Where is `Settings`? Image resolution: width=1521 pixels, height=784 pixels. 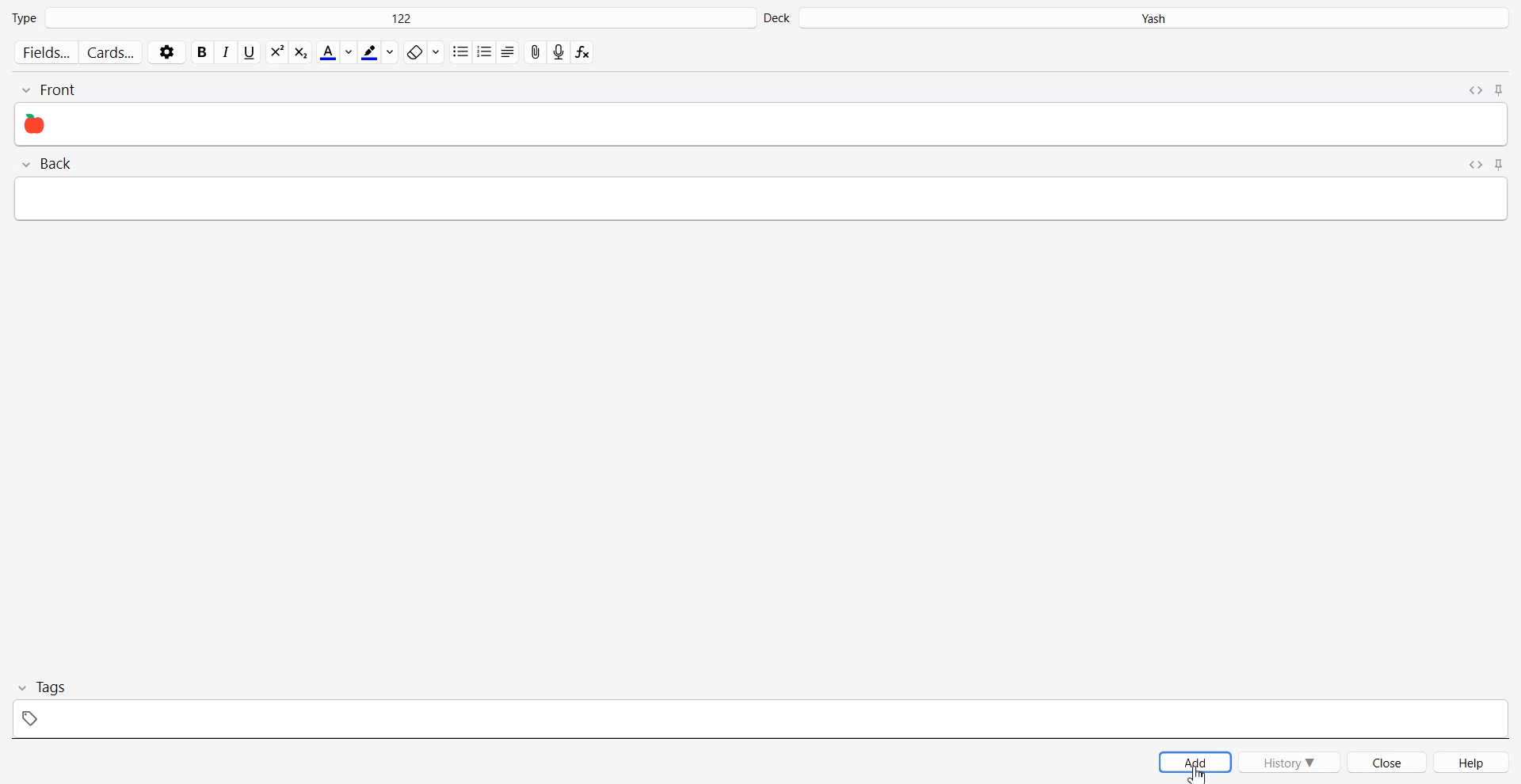
Settings is located at coordinates (167, 51).